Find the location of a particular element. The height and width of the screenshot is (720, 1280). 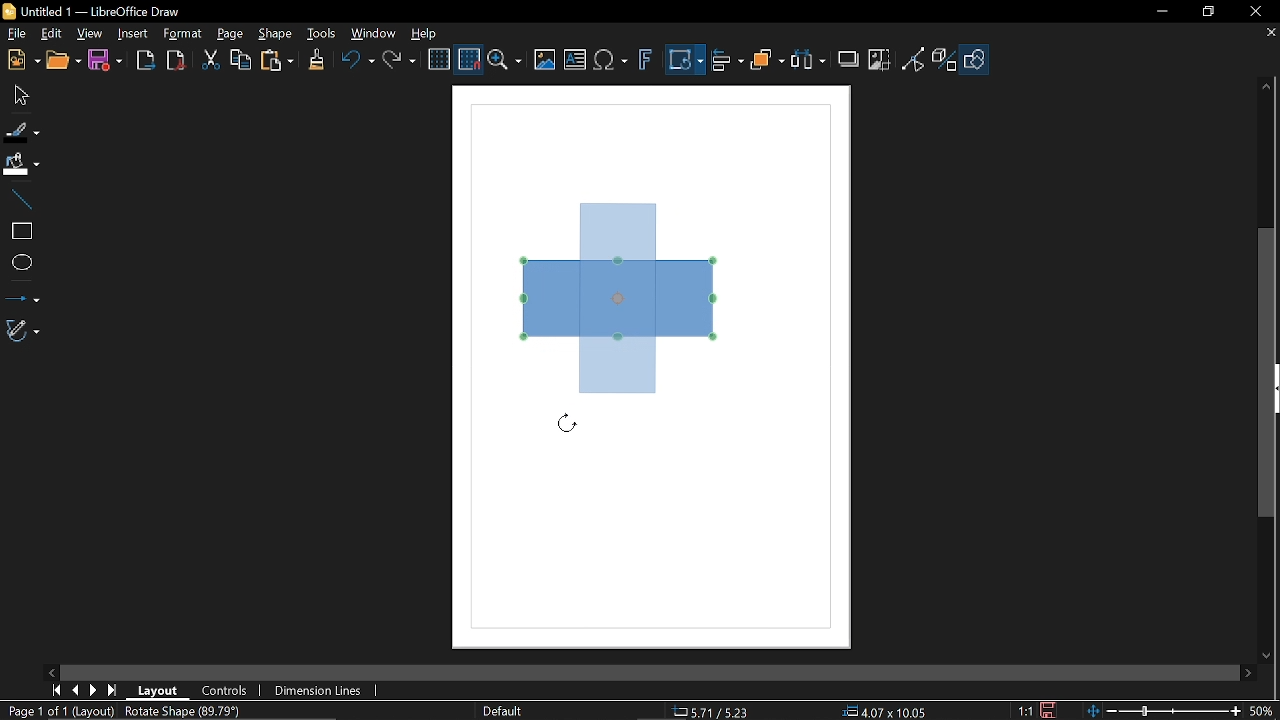

Open is located at coordinates (65, 61).